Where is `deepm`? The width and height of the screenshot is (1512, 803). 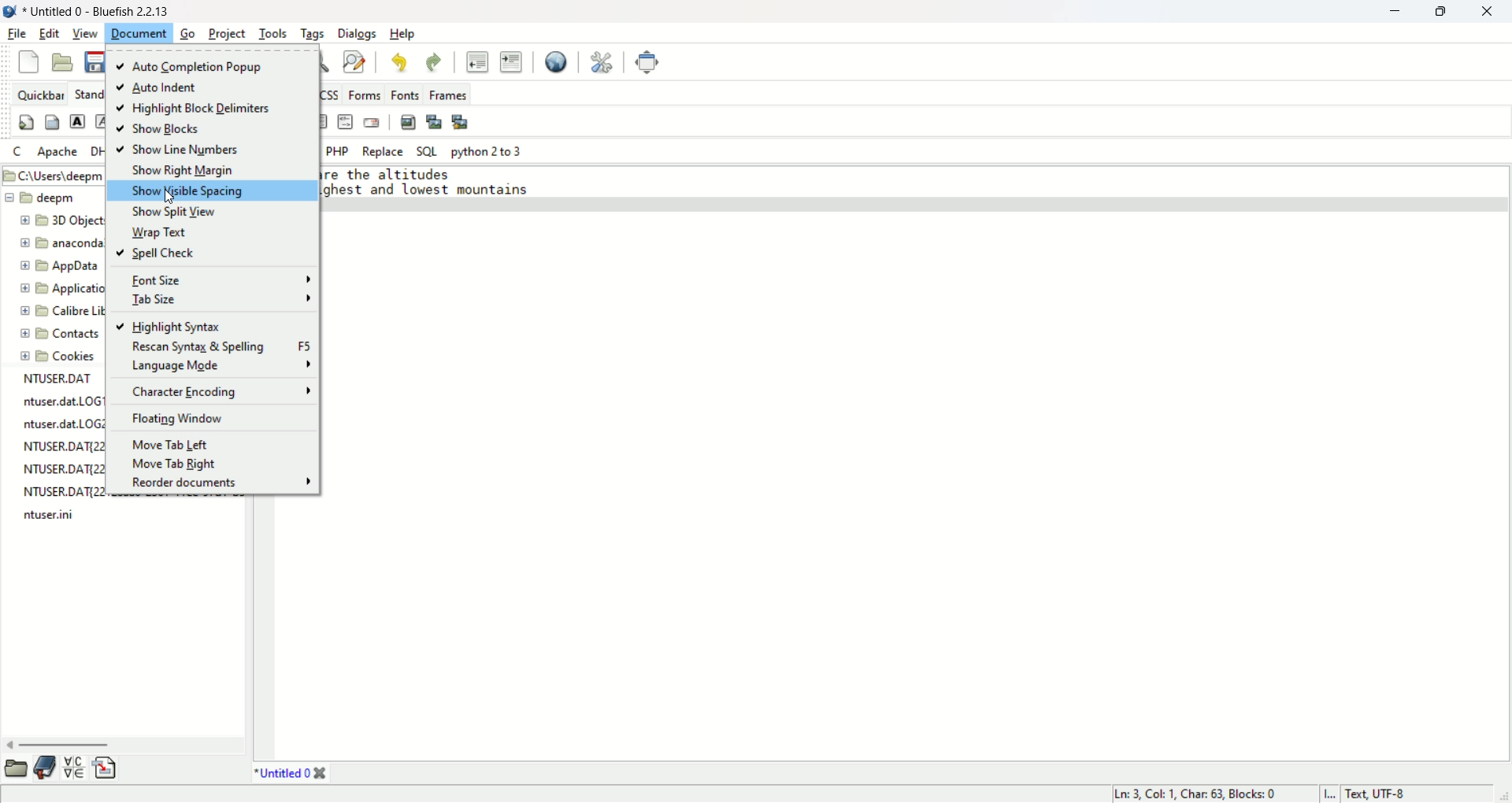
deepm is located at coordinates (43, 197).